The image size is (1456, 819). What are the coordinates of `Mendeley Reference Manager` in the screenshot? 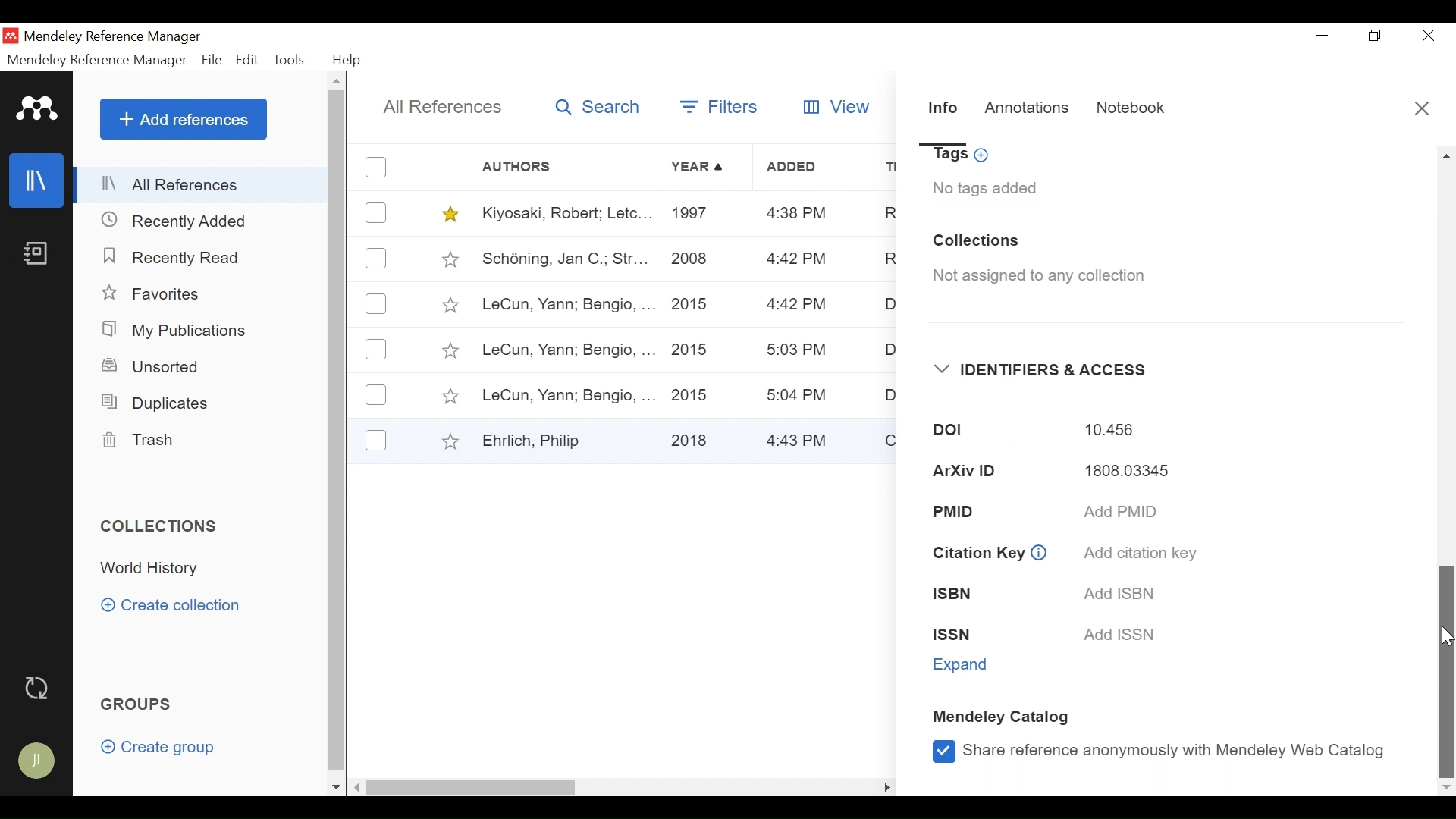 It's located at (113, 38).